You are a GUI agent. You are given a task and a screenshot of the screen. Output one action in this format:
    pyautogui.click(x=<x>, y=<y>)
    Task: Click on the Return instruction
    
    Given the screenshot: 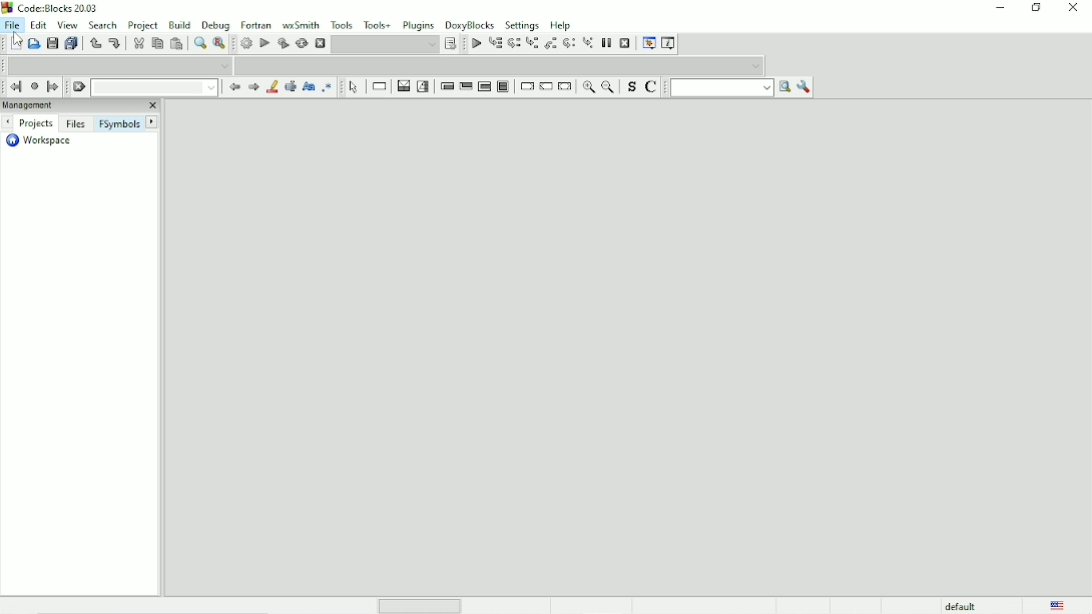 What is the action you would take?
    pyautogui.click(x=565, y=87)
    